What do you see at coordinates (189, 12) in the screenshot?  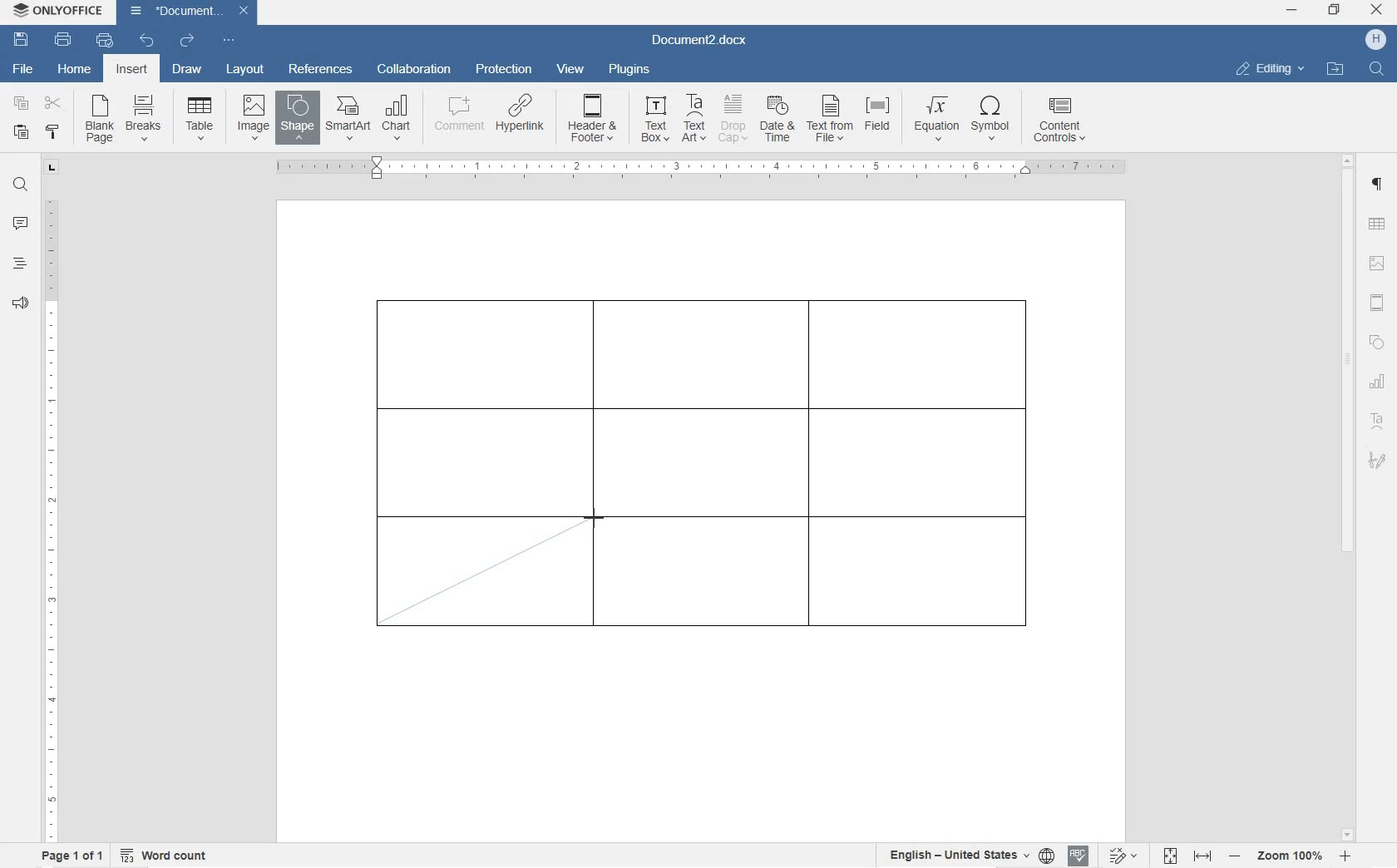 I see `Document3.docx` at bounding box center [189, 12].